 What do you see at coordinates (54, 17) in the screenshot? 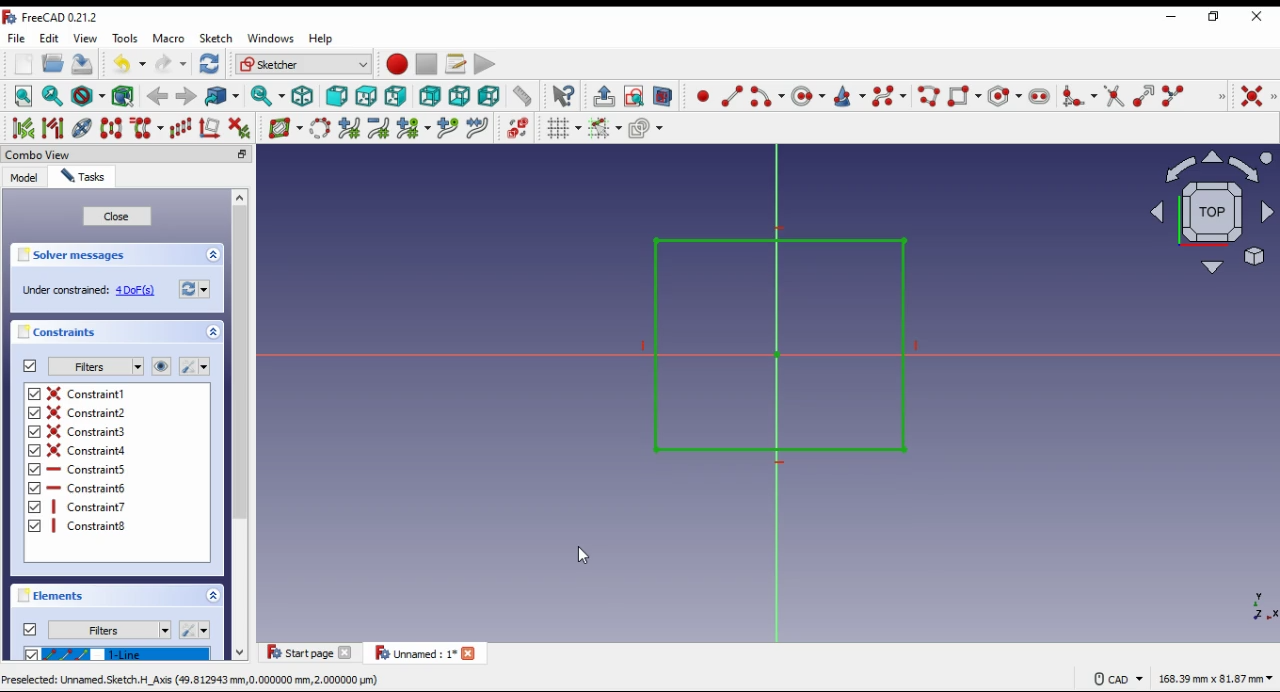
I see `icon and window name` at bounding box center [54, 17].